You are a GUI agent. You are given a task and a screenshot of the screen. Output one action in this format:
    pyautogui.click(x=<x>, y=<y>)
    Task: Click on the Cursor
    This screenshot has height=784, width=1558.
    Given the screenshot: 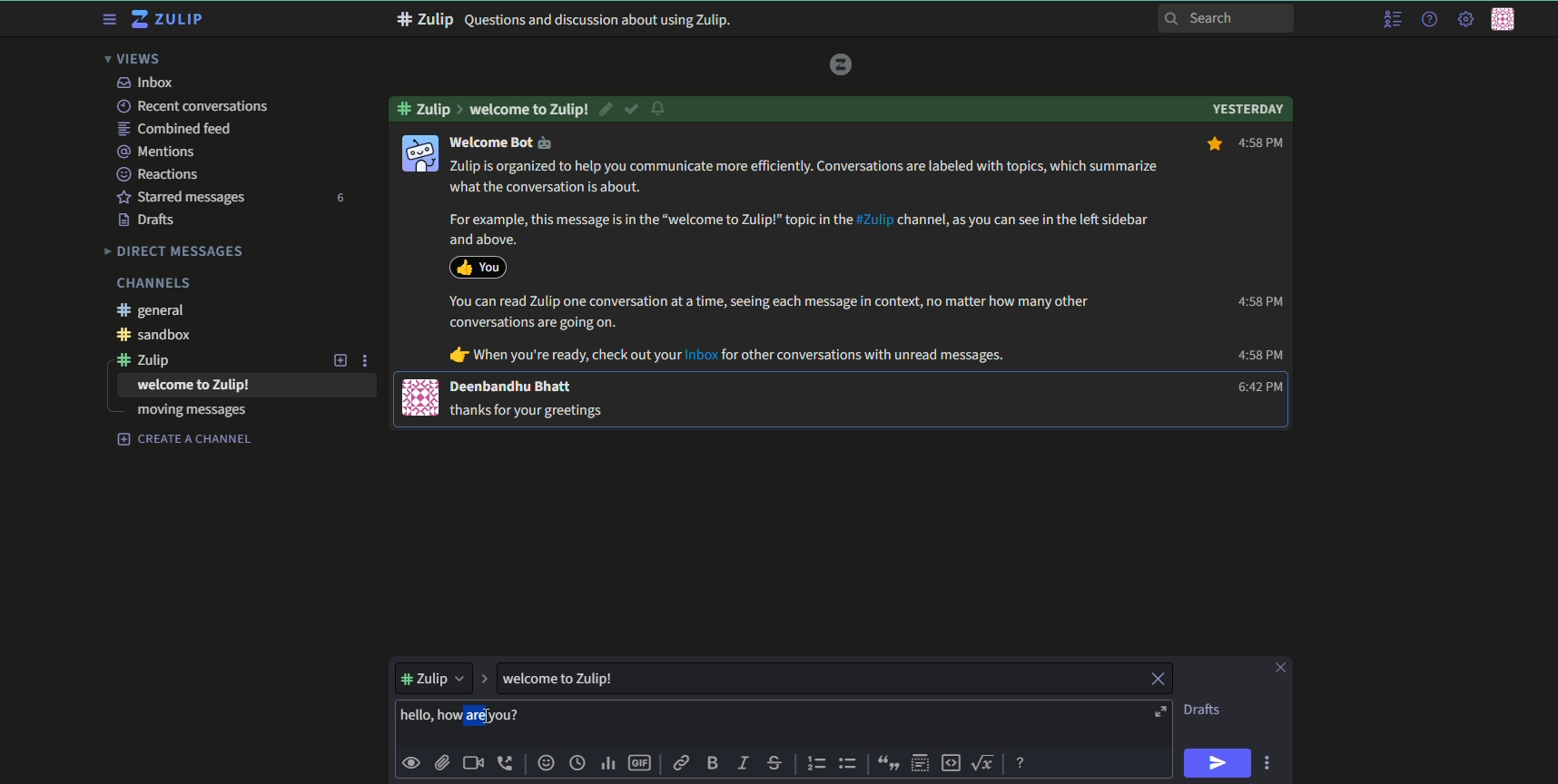 What is the action you would take?
    pyautogui.click(x=493, y=718)
    